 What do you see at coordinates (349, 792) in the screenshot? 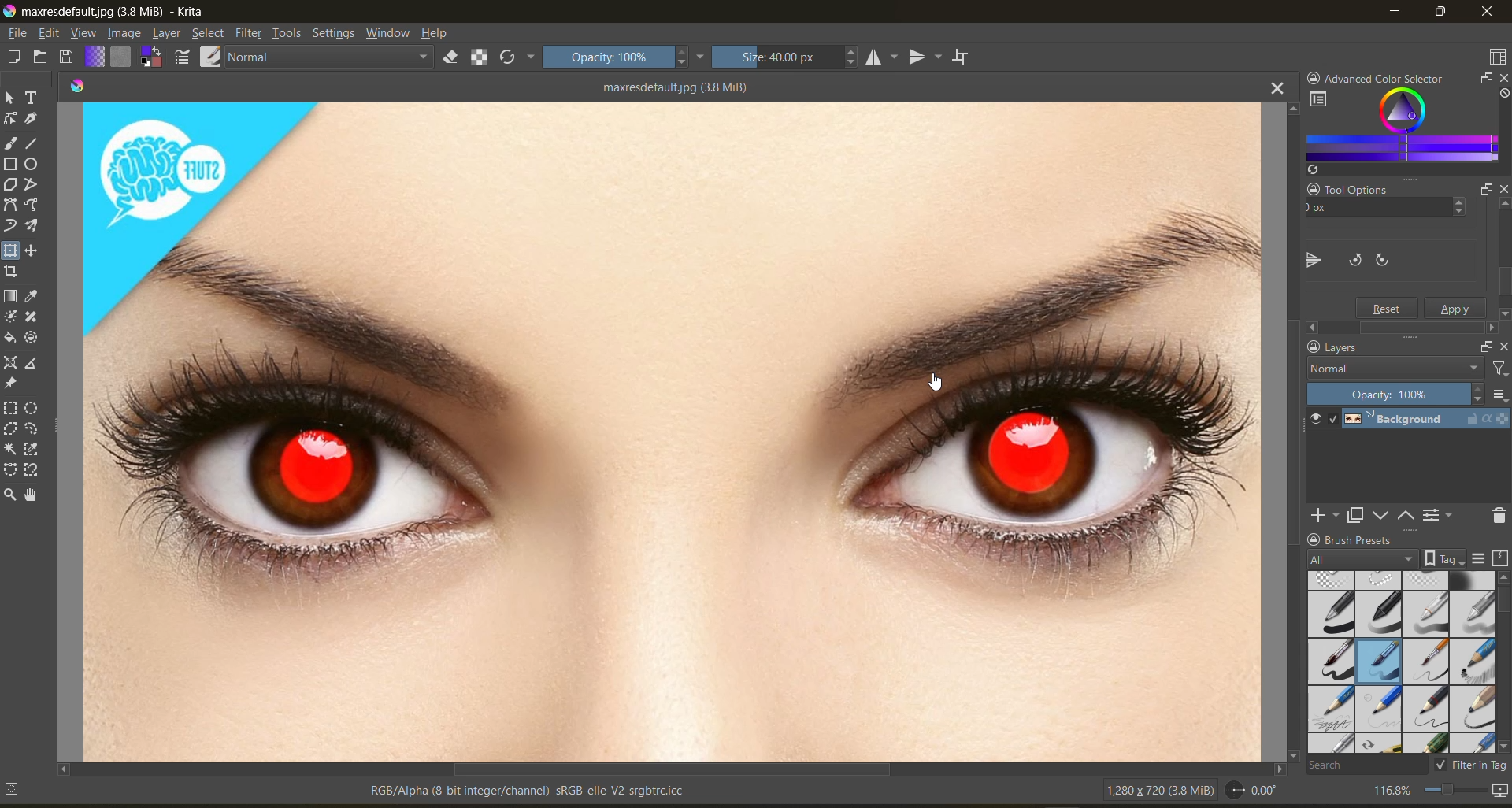
I see `metadata` at bounding box center [349, 792].